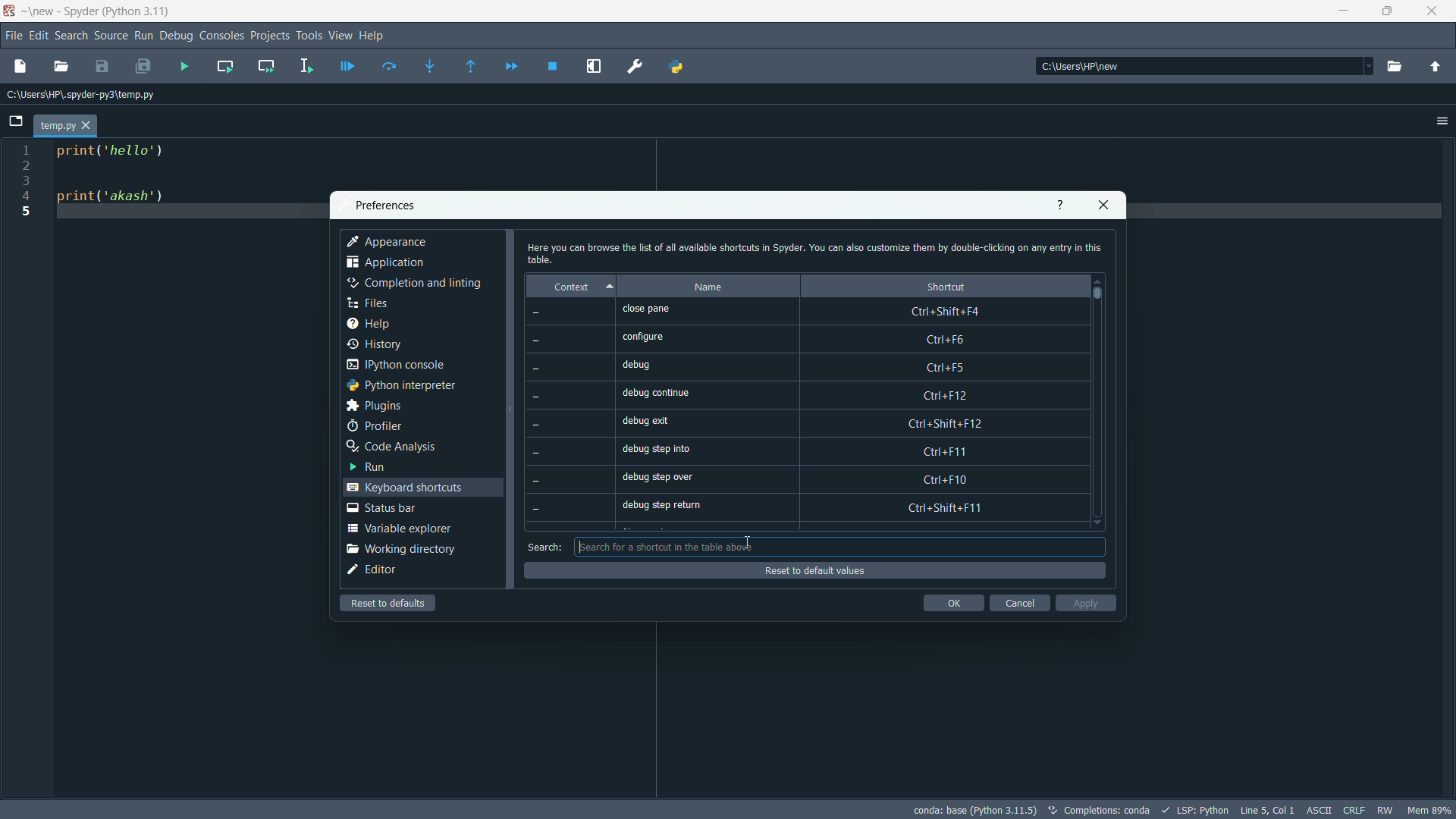  What do you see at coordinates (711, 287) in the screenshot?
I see `name` at bounding box center [711, 287].